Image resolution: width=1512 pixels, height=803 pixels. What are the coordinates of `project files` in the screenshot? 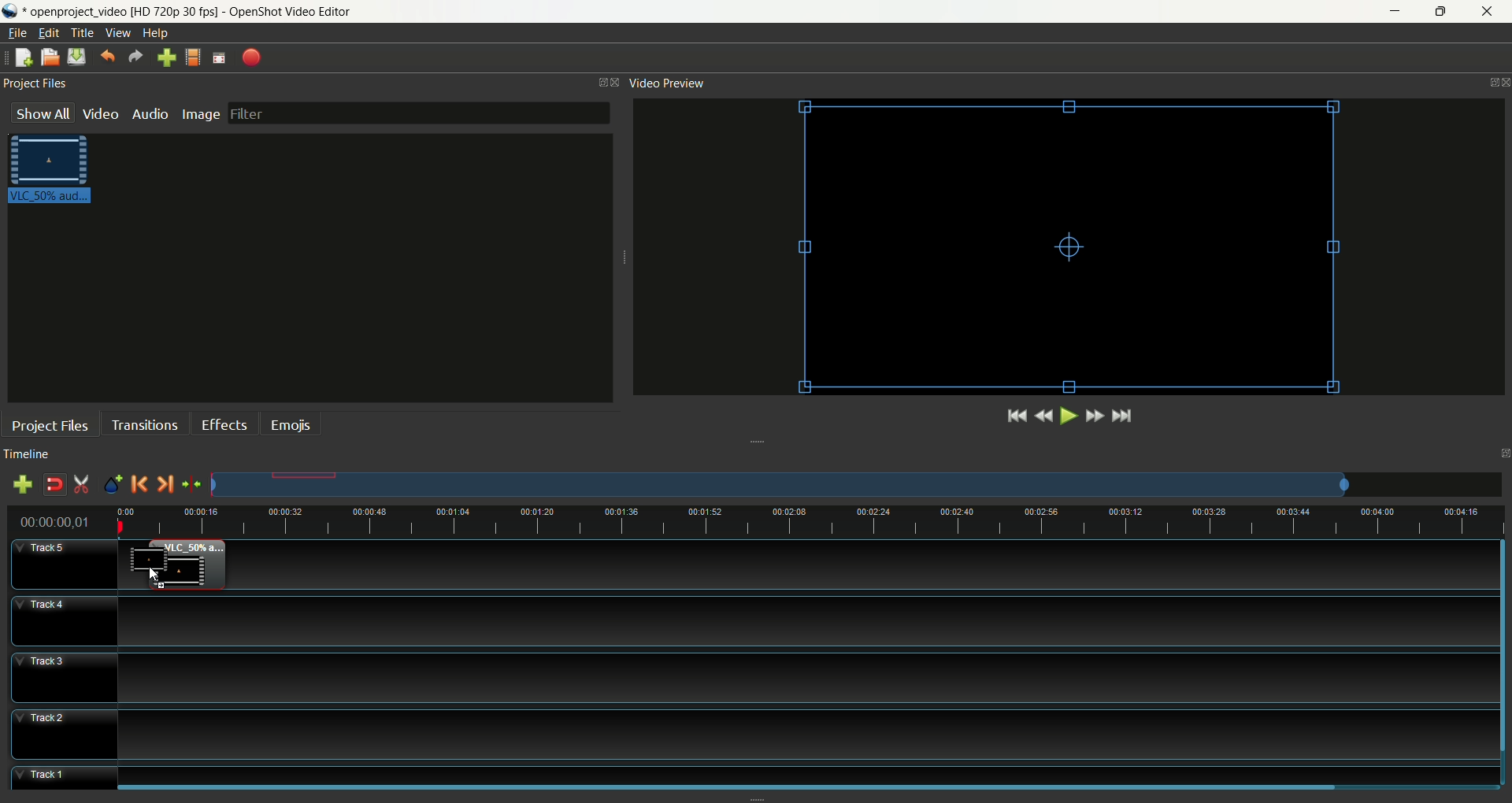 It's located at (50, 426).